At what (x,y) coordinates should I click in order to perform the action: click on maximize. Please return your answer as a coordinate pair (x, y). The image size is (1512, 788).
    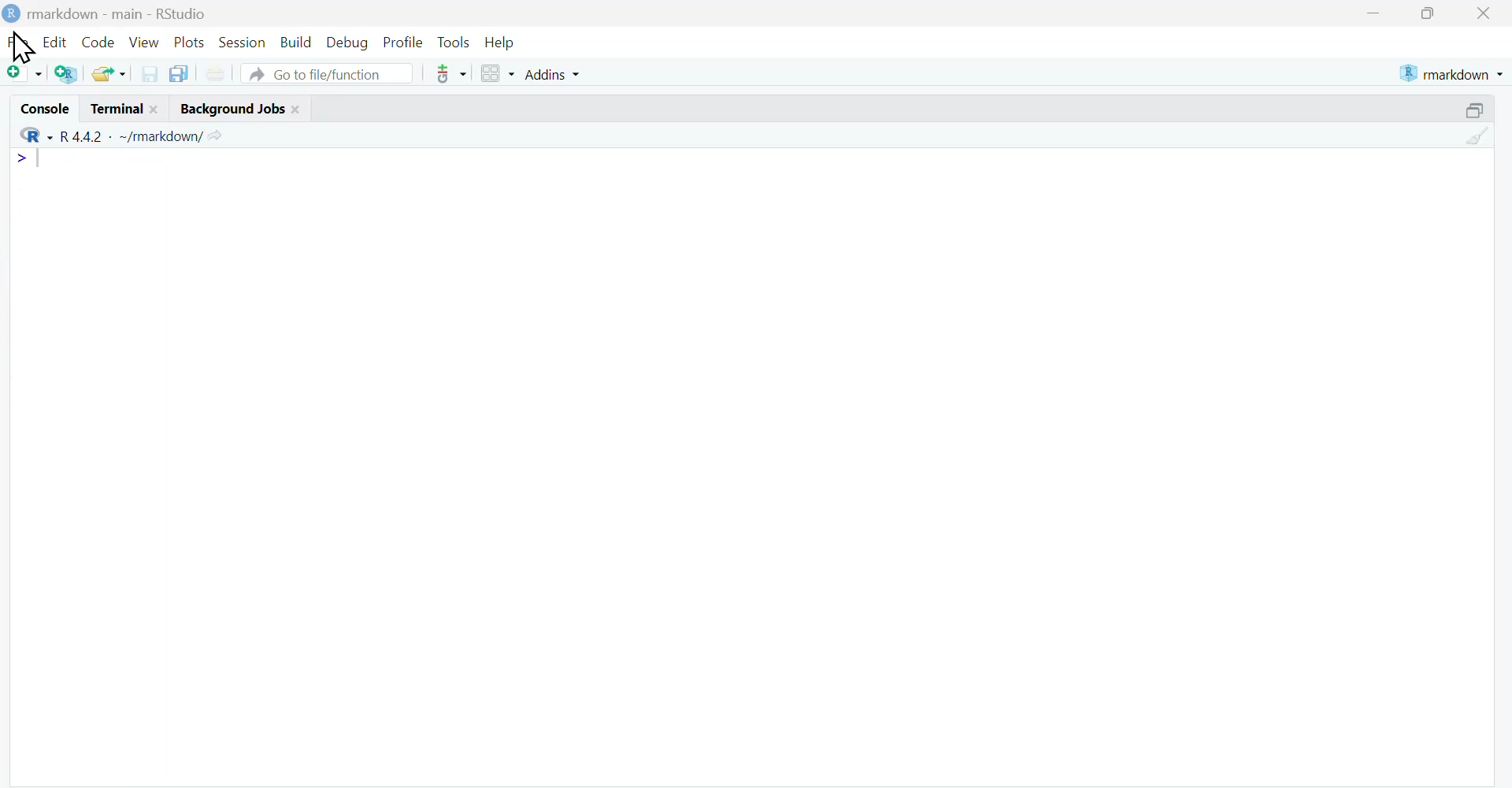
    Looking at the image, I should click on (1476, 109).